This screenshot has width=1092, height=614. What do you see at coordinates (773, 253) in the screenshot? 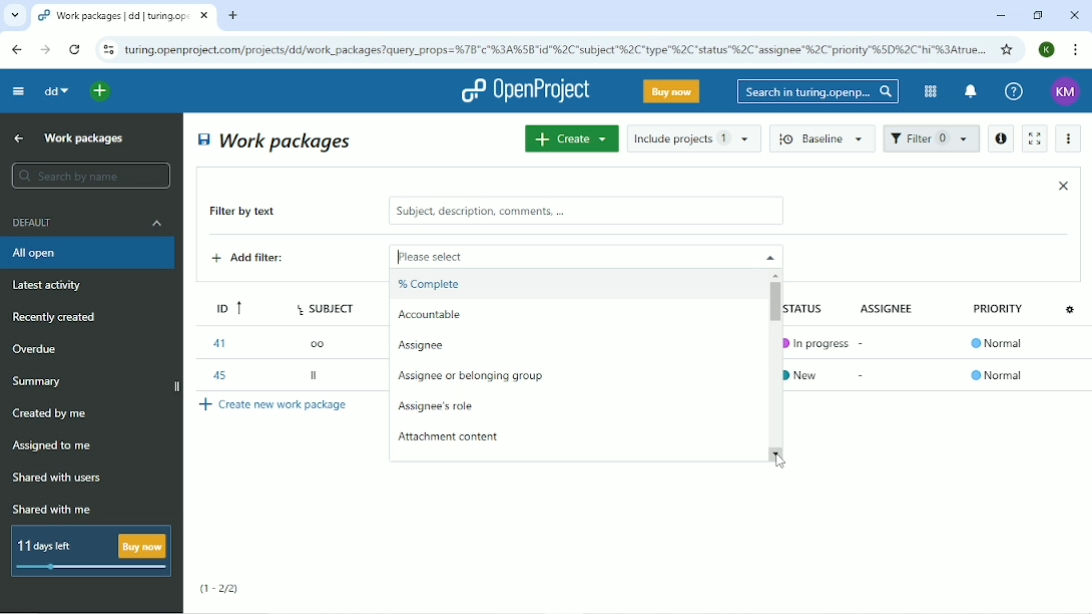
I see `close drop down menu` at bounding box center [773, 253].